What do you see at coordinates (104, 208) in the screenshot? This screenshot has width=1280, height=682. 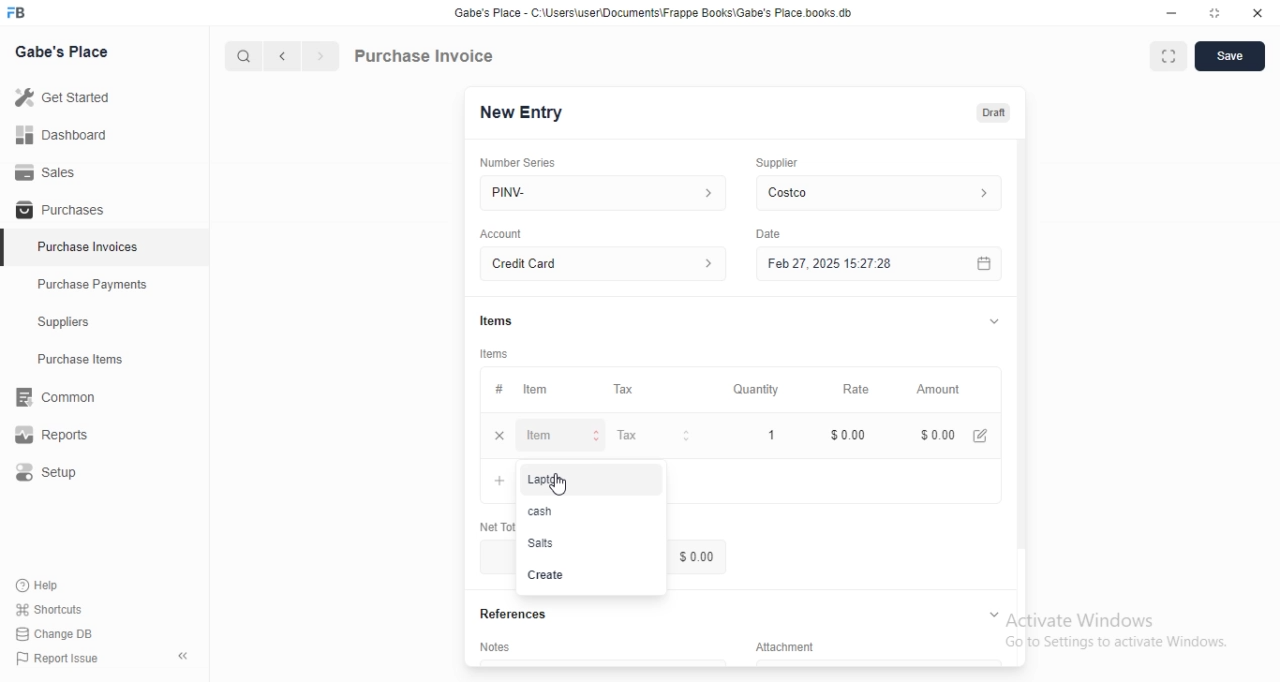 I see `Purchases` at bounding box center [104, 208].